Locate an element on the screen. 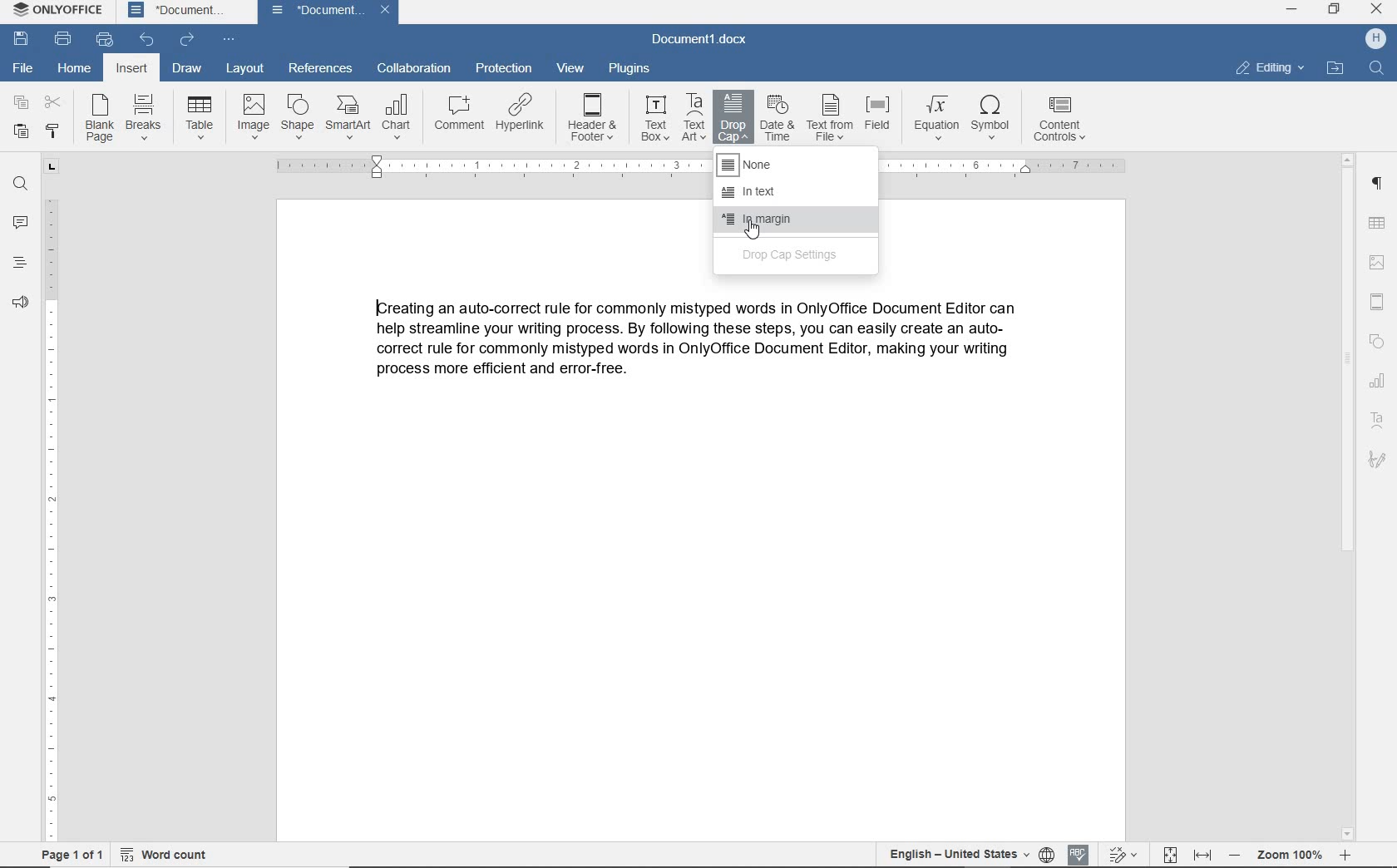 The width and height of the screenshot is (1397, 868). paragraph settings is located at coordinates (1379, 184).